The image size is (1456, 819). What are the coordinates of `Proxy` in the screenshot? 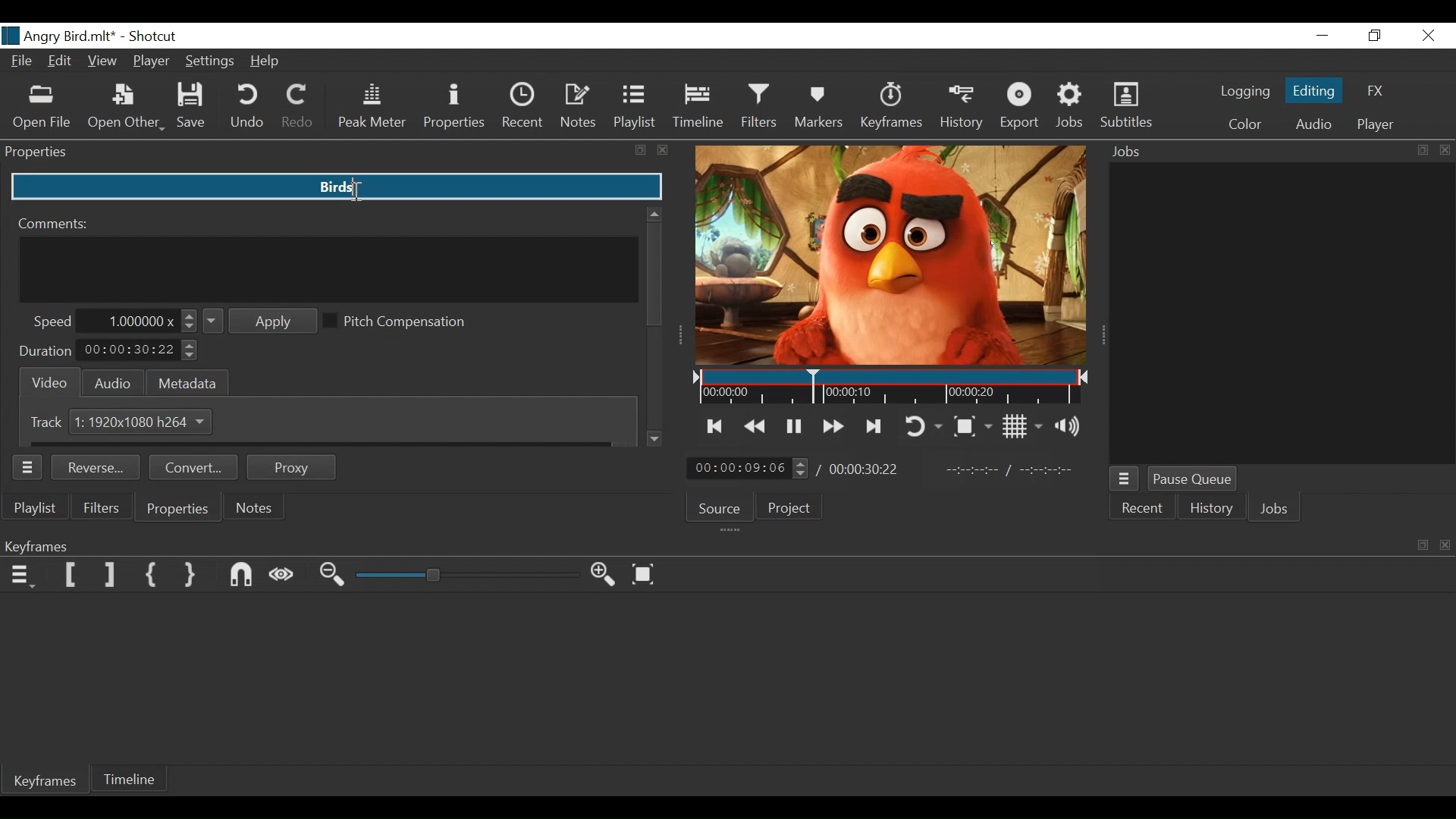 It's located at (292, 467).